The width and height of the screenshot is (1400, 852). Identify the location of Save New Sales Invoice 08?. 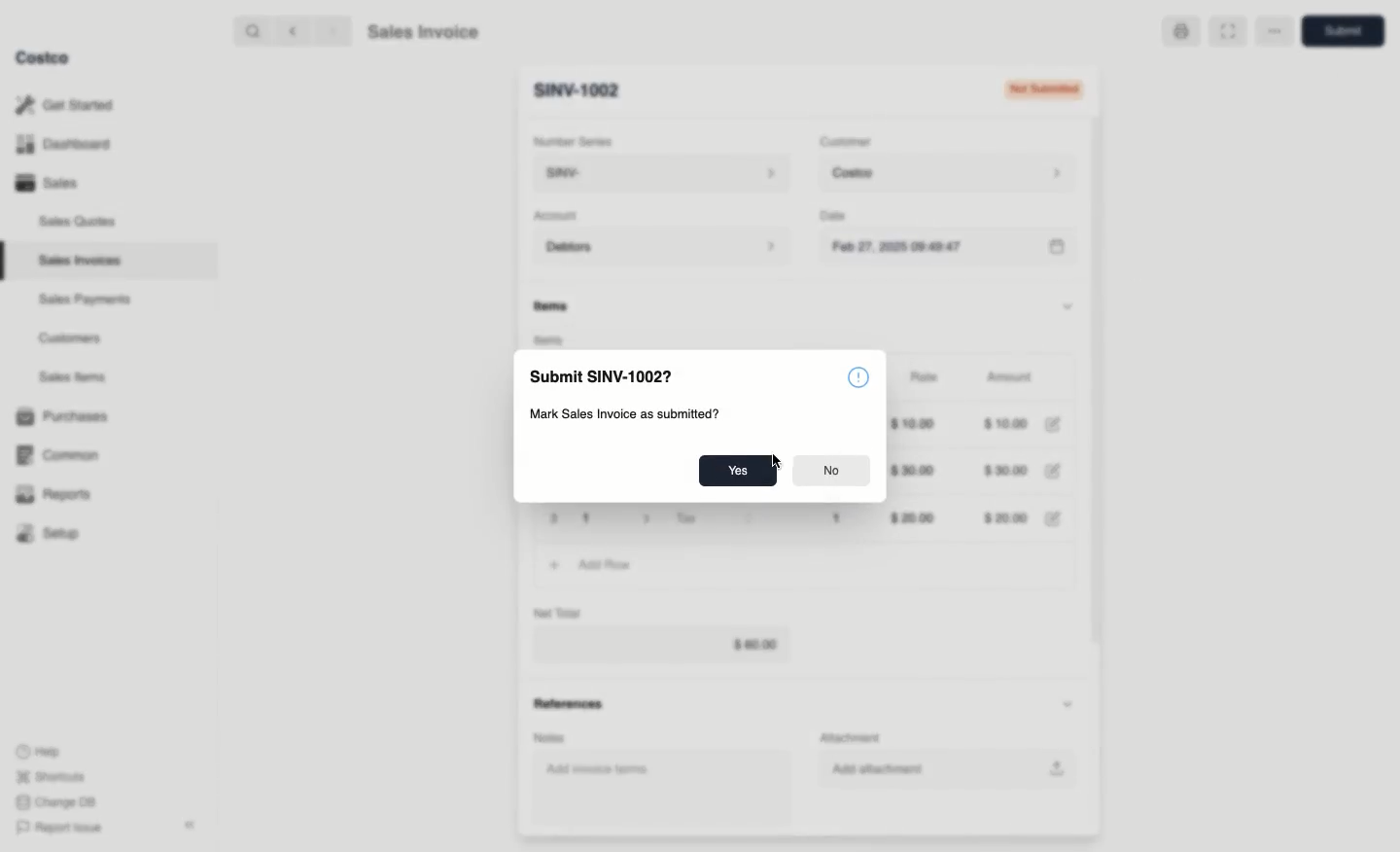
(643, 377).